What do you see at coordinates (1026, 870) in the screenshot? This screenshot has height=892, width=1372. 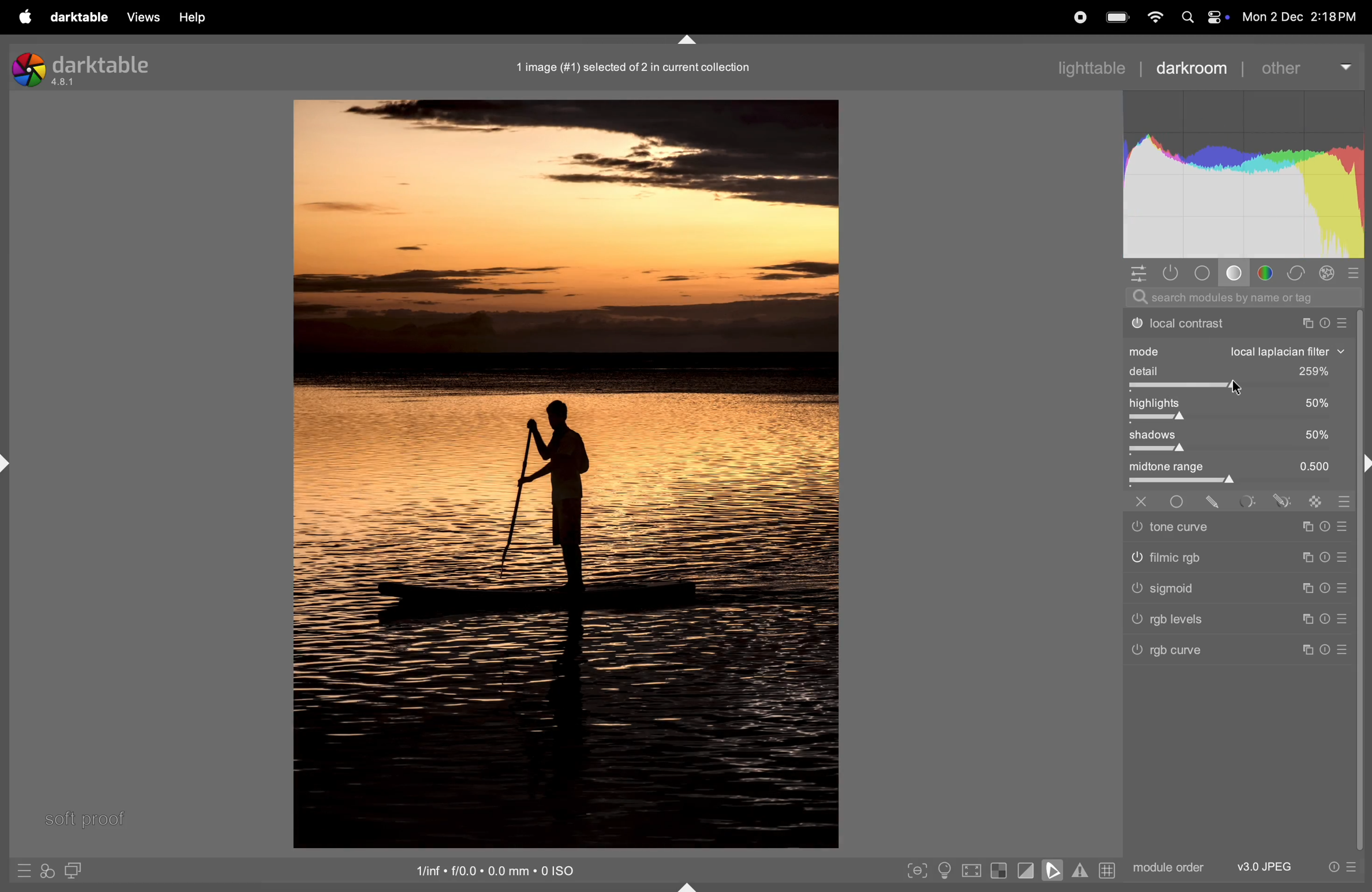 I see `toggle clipping indication` at bounding box center [1026, 870].